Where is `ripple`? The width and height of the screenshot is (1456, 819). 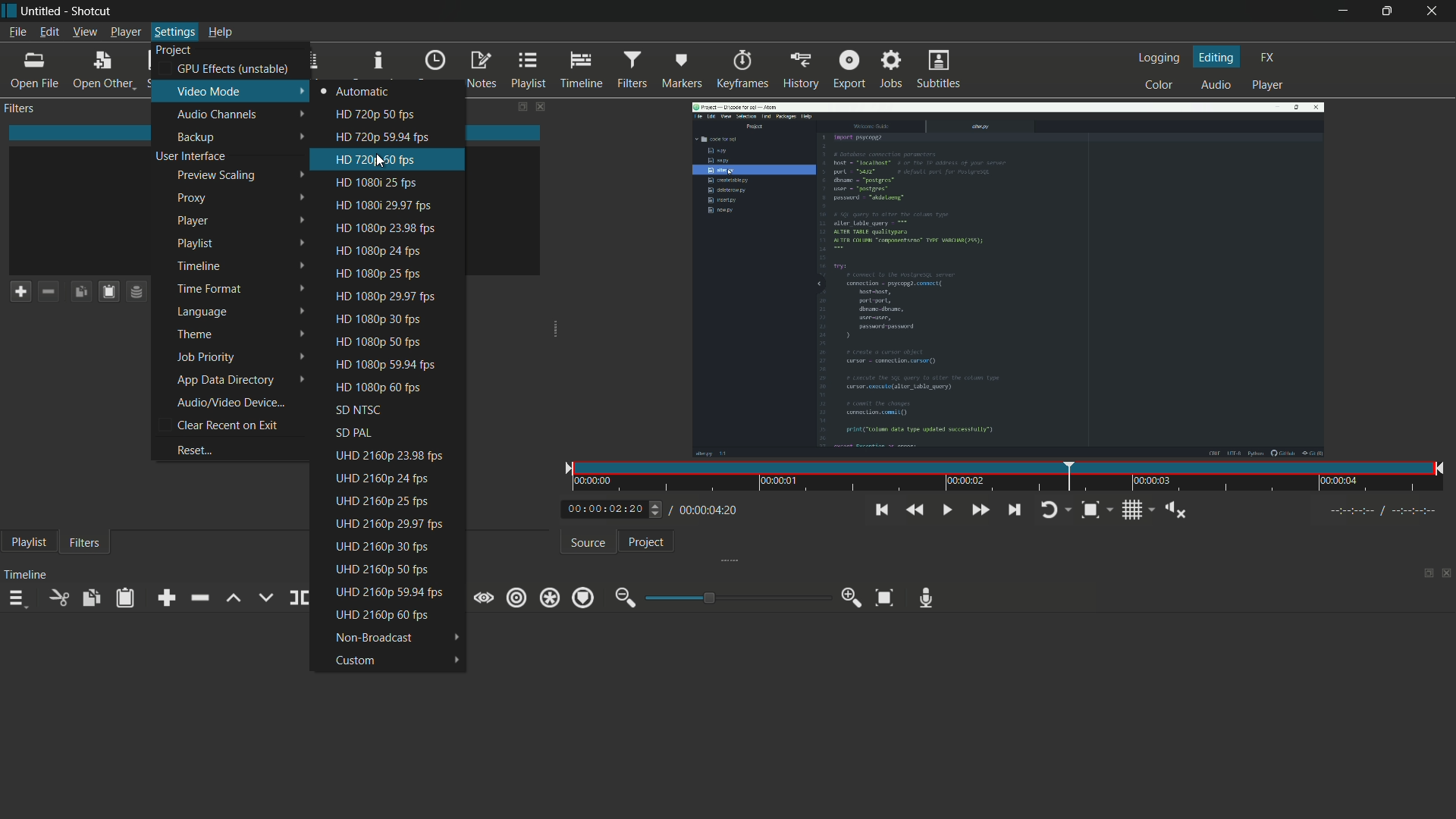
ripple is located at coordinates (516, 598).